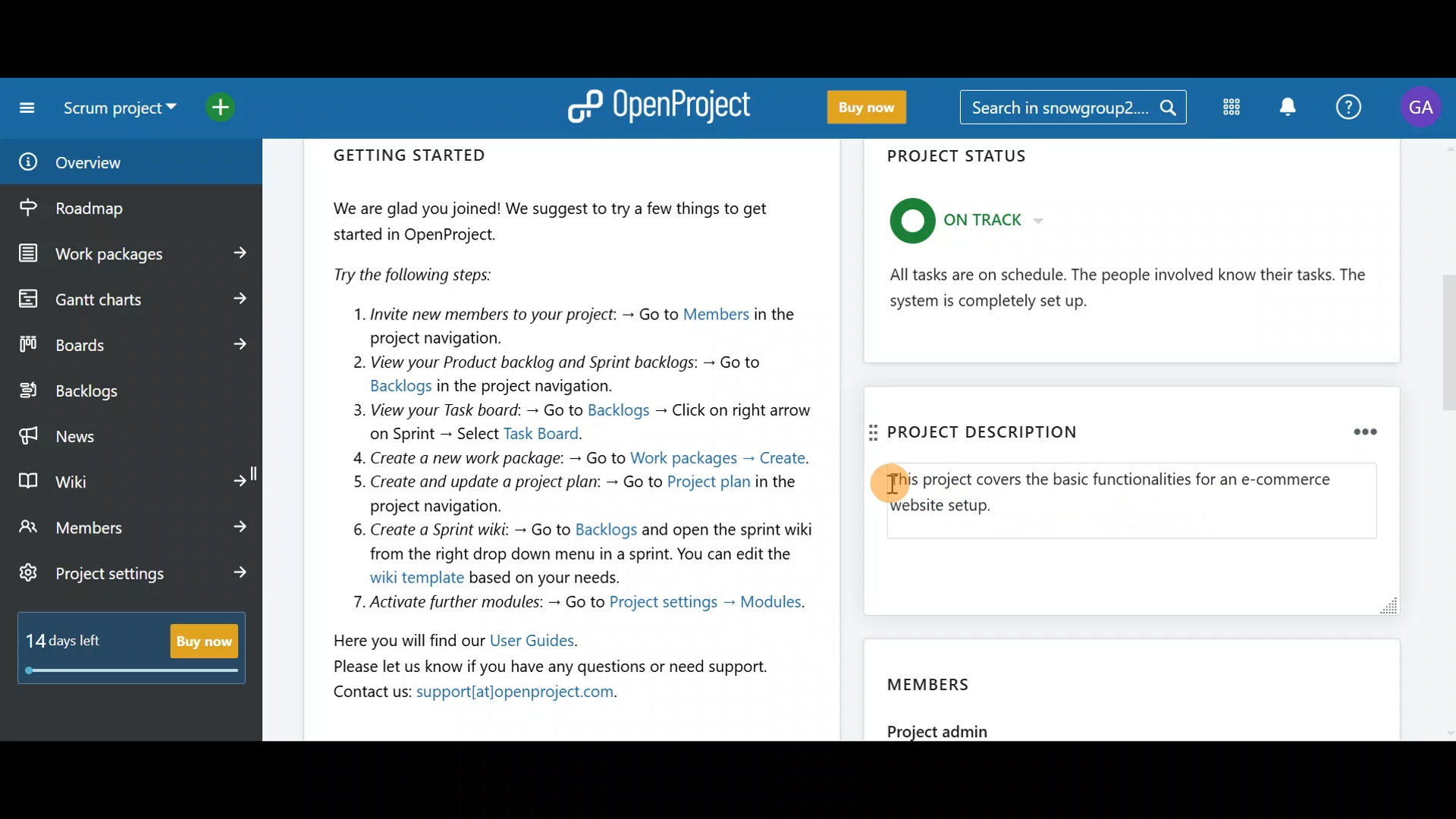  I want to click on Buy now, so click(877, 108).